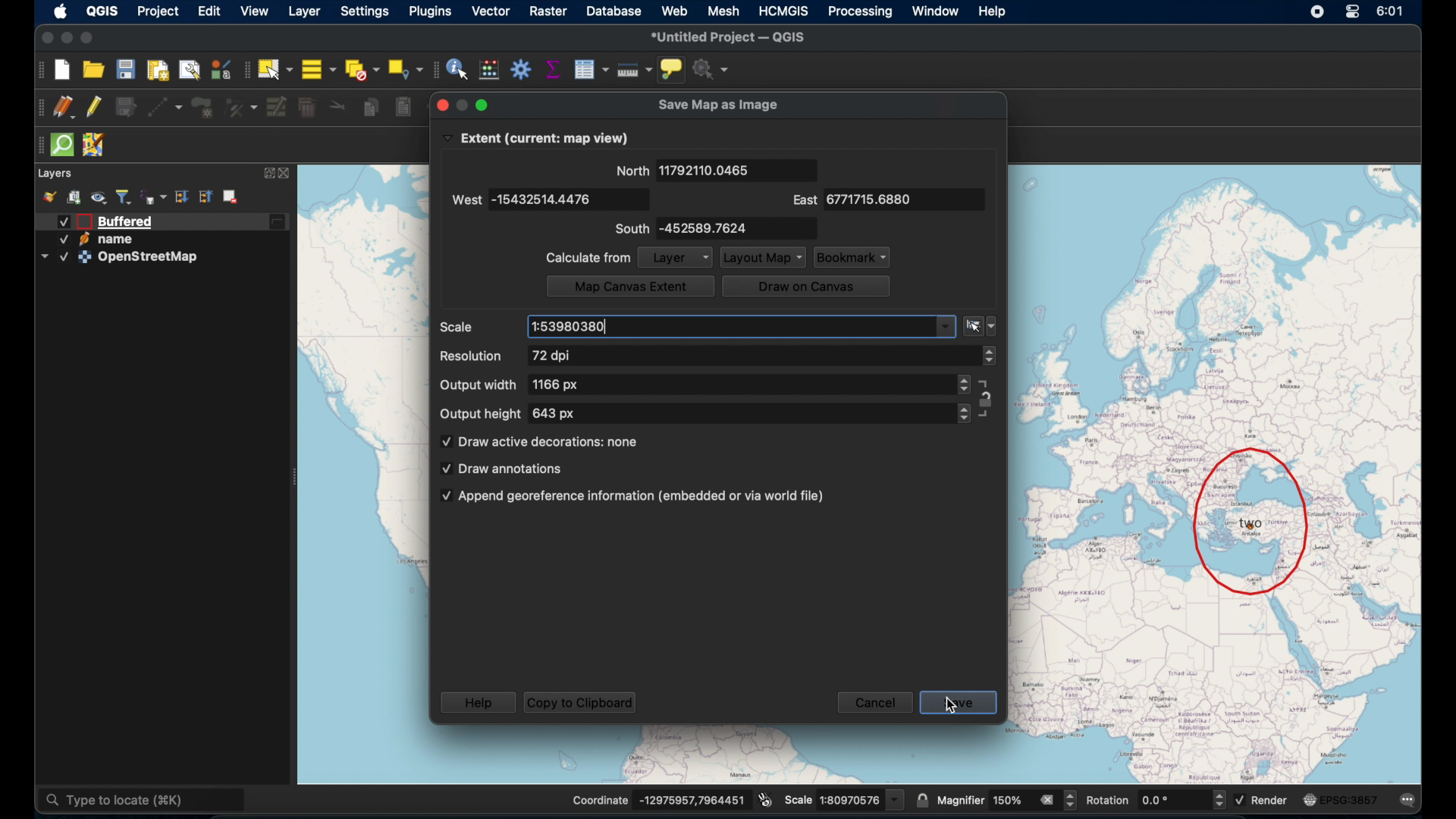 The height and width of the screenshot is (819, 1456). Describe the element at coordinates (317, 68) in the screenshot. I see `select all features` at that location.